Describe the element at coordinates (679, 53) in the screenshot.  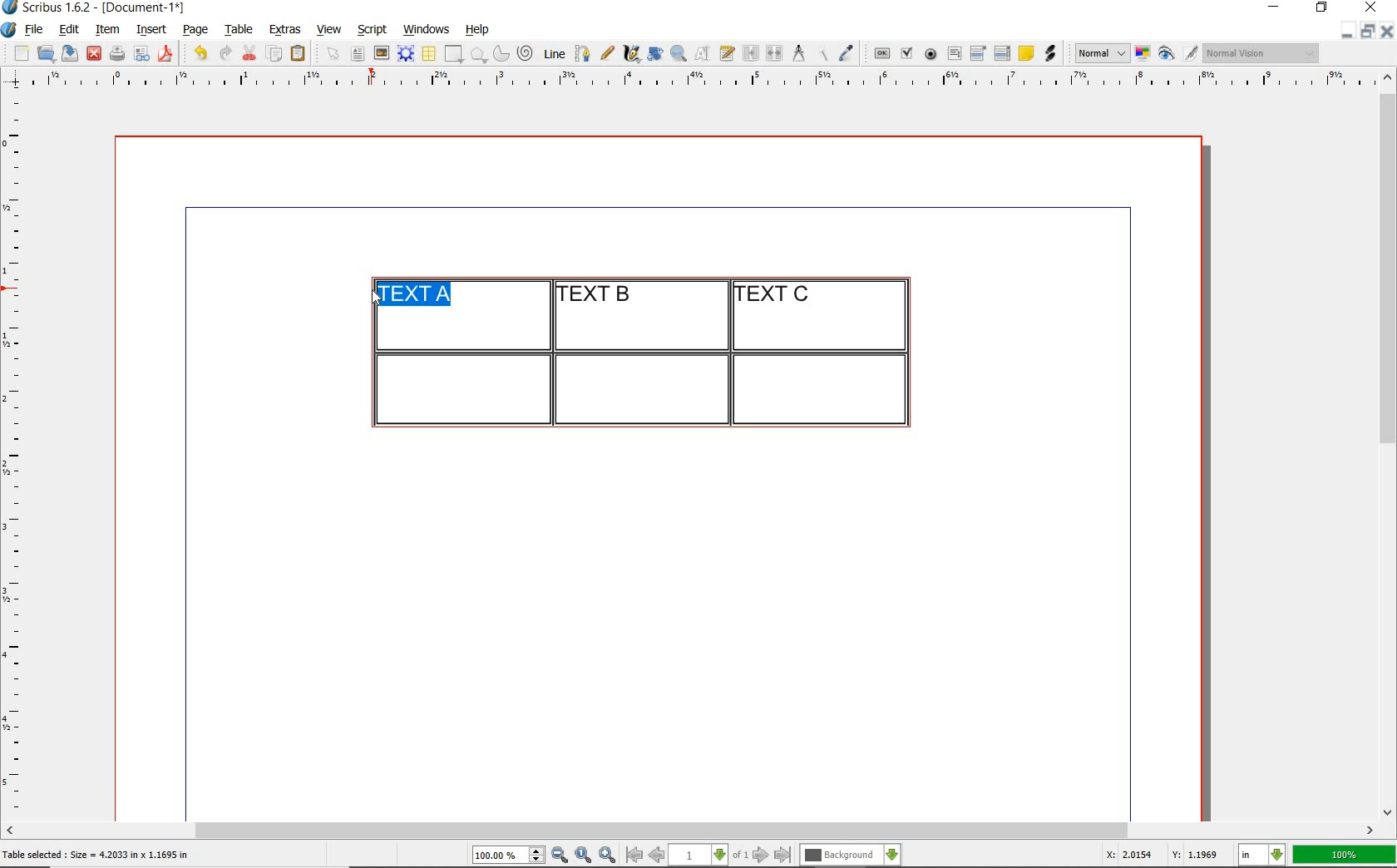
I see `zoom in or zoom out` at that location.